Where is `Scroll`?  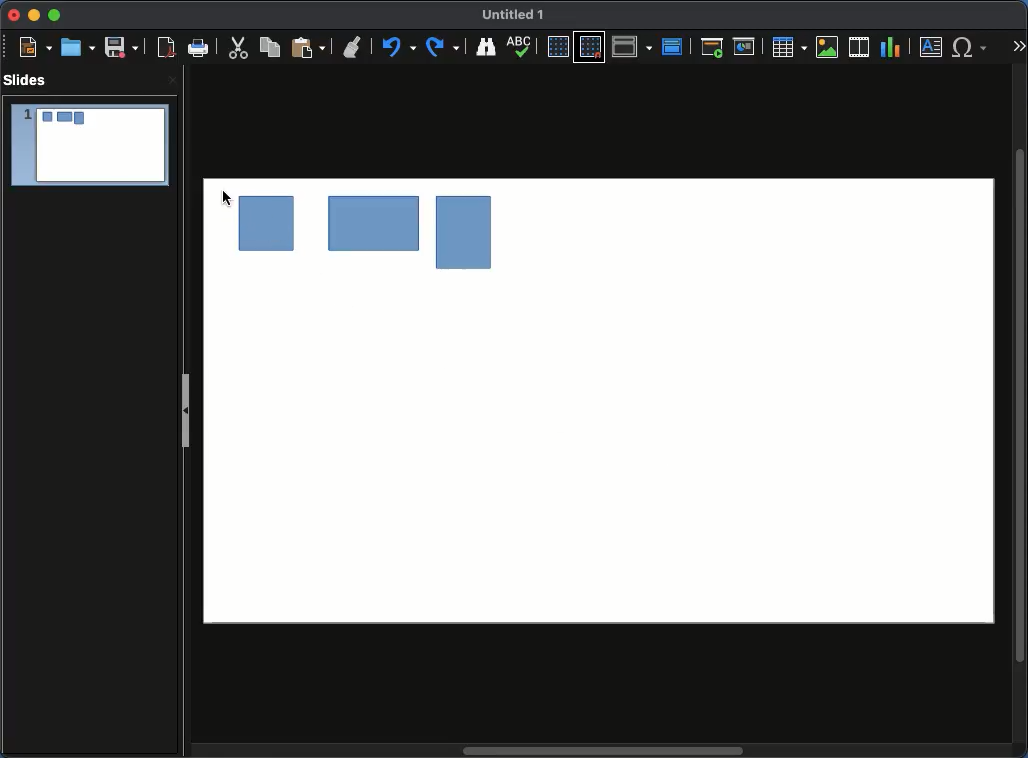
Scroll is located at coordinates (1022, 404).